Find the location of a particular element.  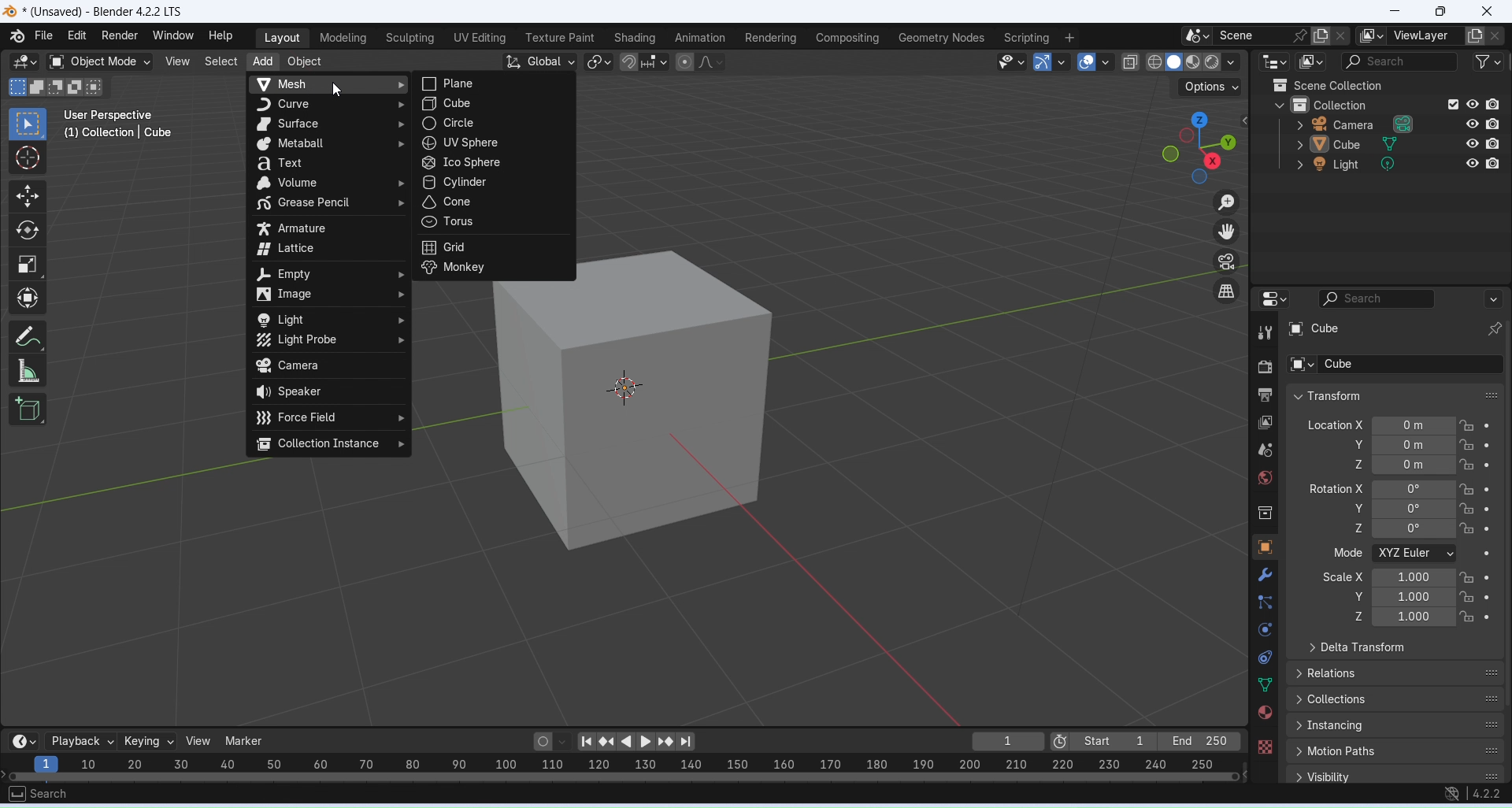

option is located at coordinates (1373, 36).